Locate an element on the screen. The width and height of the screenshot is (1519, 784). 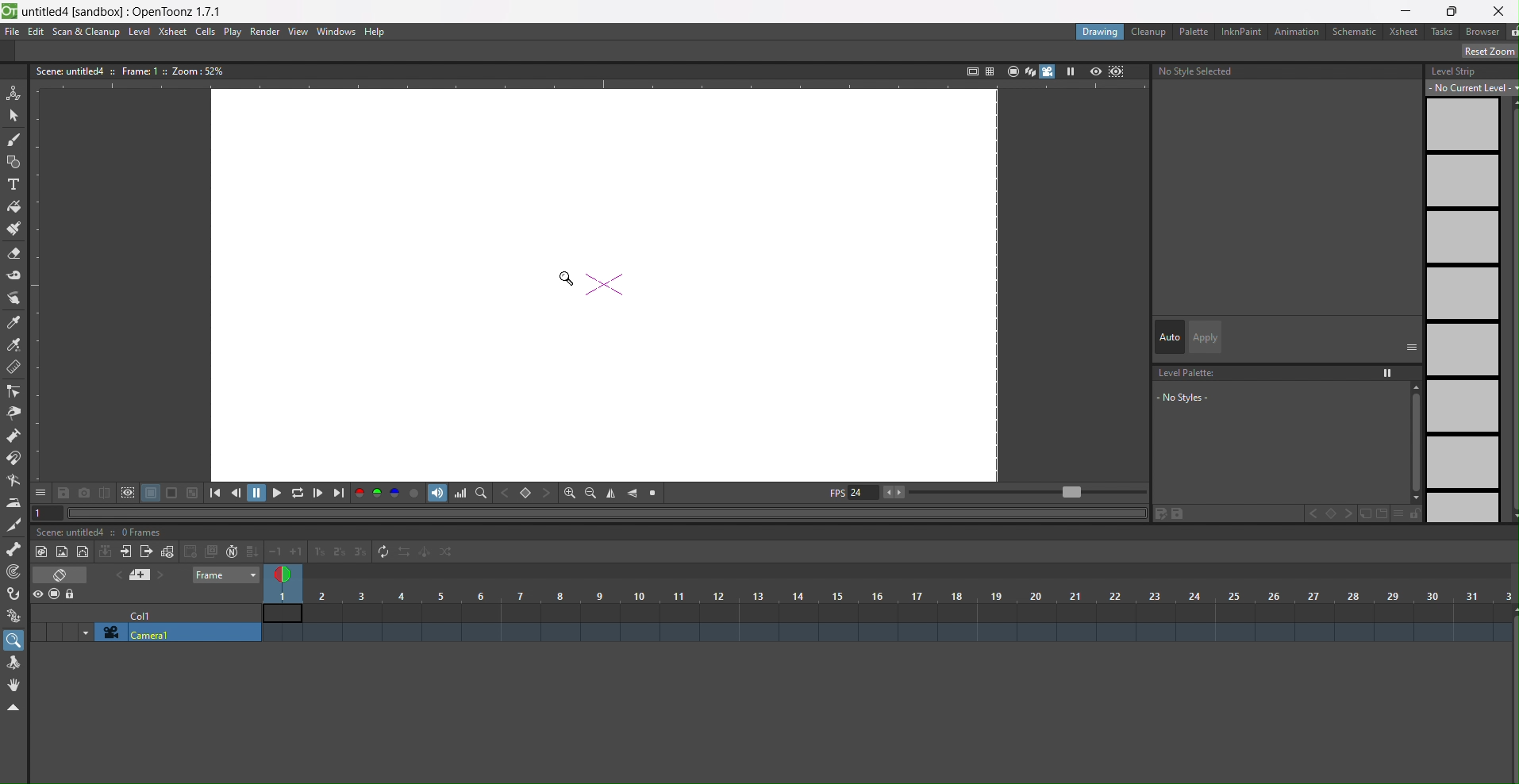
hide toolbar is located at coordinates (17, 709).